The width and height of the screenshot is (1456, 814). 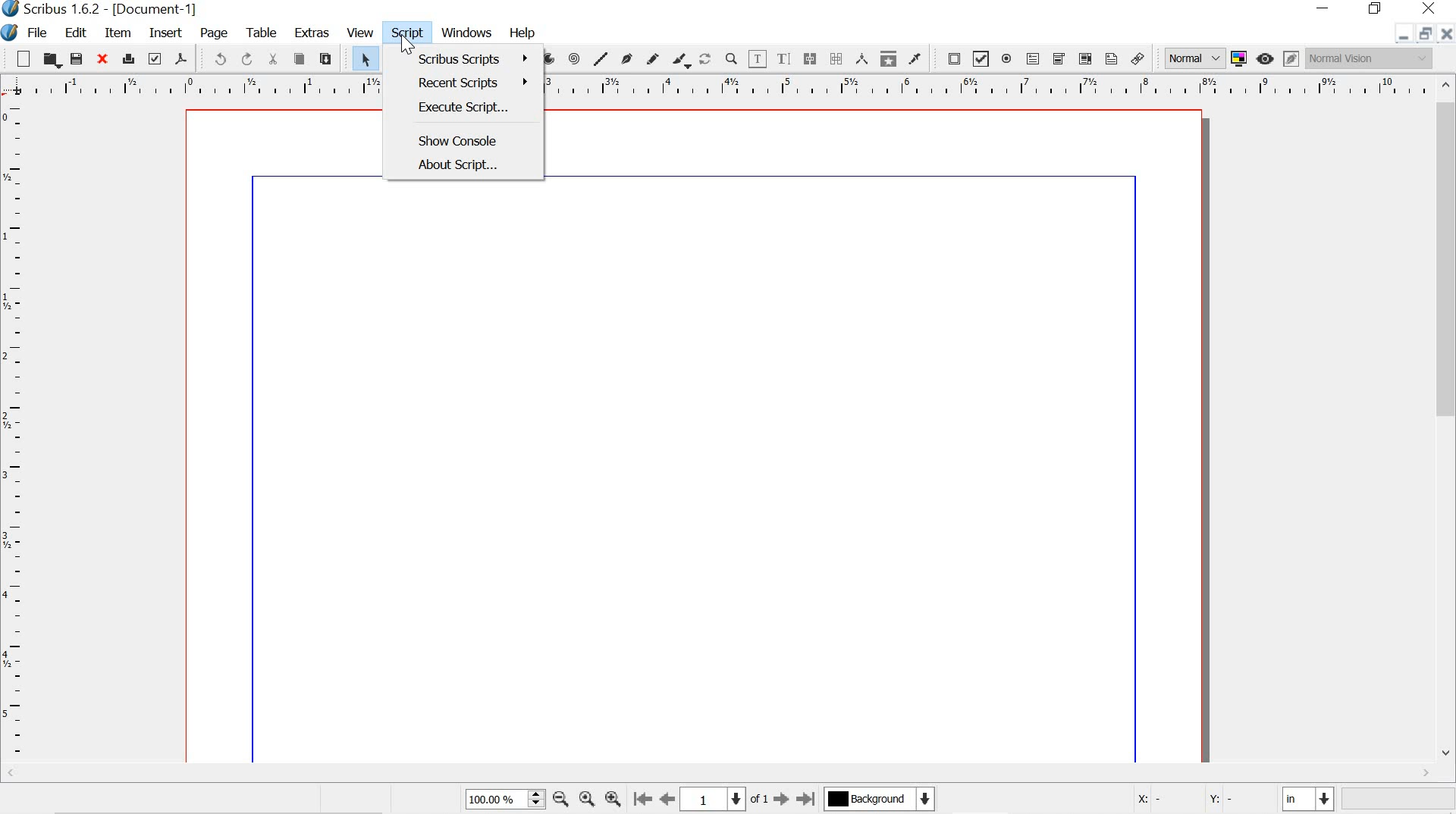 What do you see at coordinates (215, 59) in the screenshot?
I see `undo` at bounding box center [215, 59].